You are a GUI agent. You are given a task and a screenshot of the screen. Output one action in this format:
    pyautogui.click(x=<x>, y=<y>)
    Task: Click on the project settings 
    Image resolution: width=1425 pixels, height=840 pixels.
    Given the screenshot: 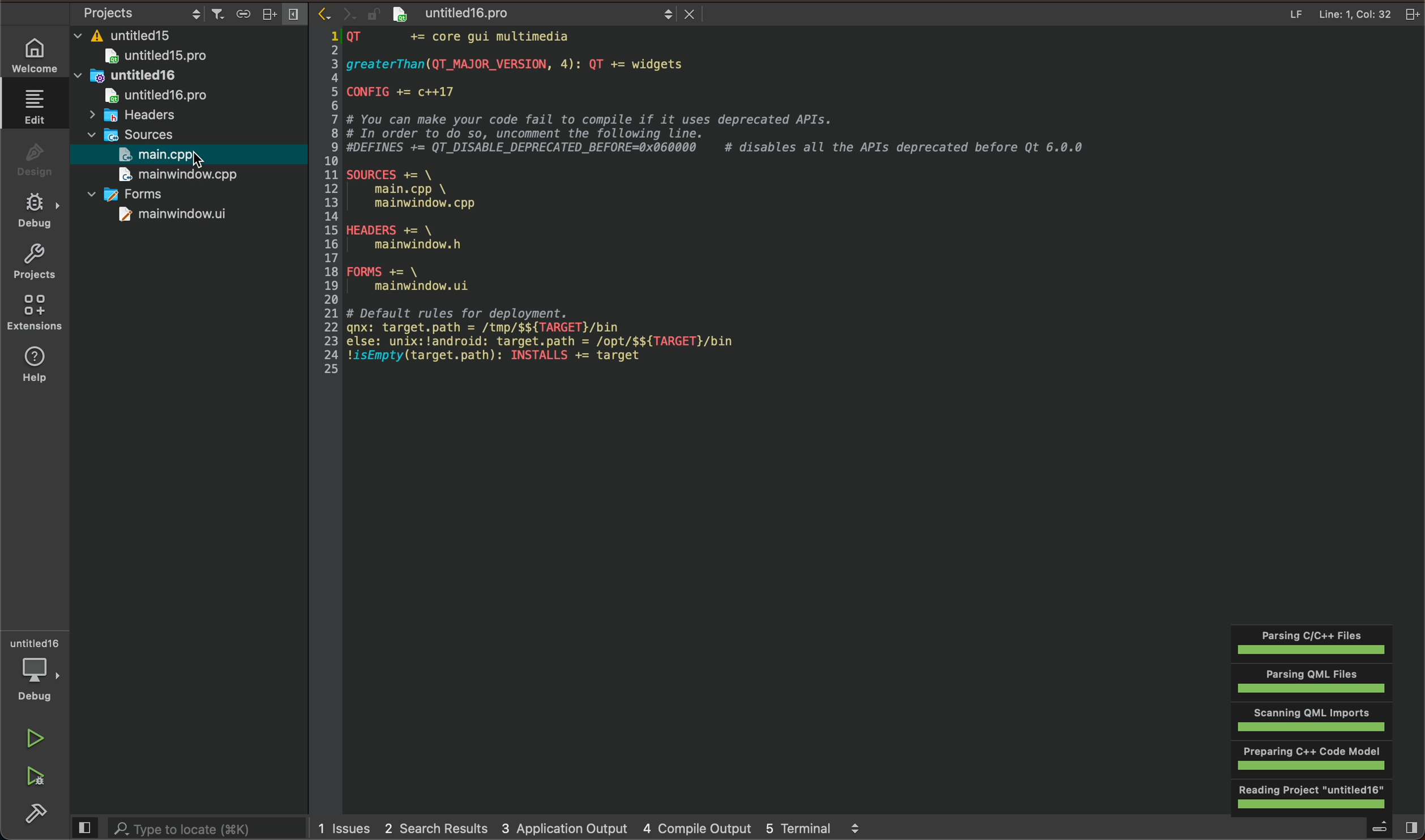 What is the action you would take?
    pyautogui.click(x=183, y=12)
    